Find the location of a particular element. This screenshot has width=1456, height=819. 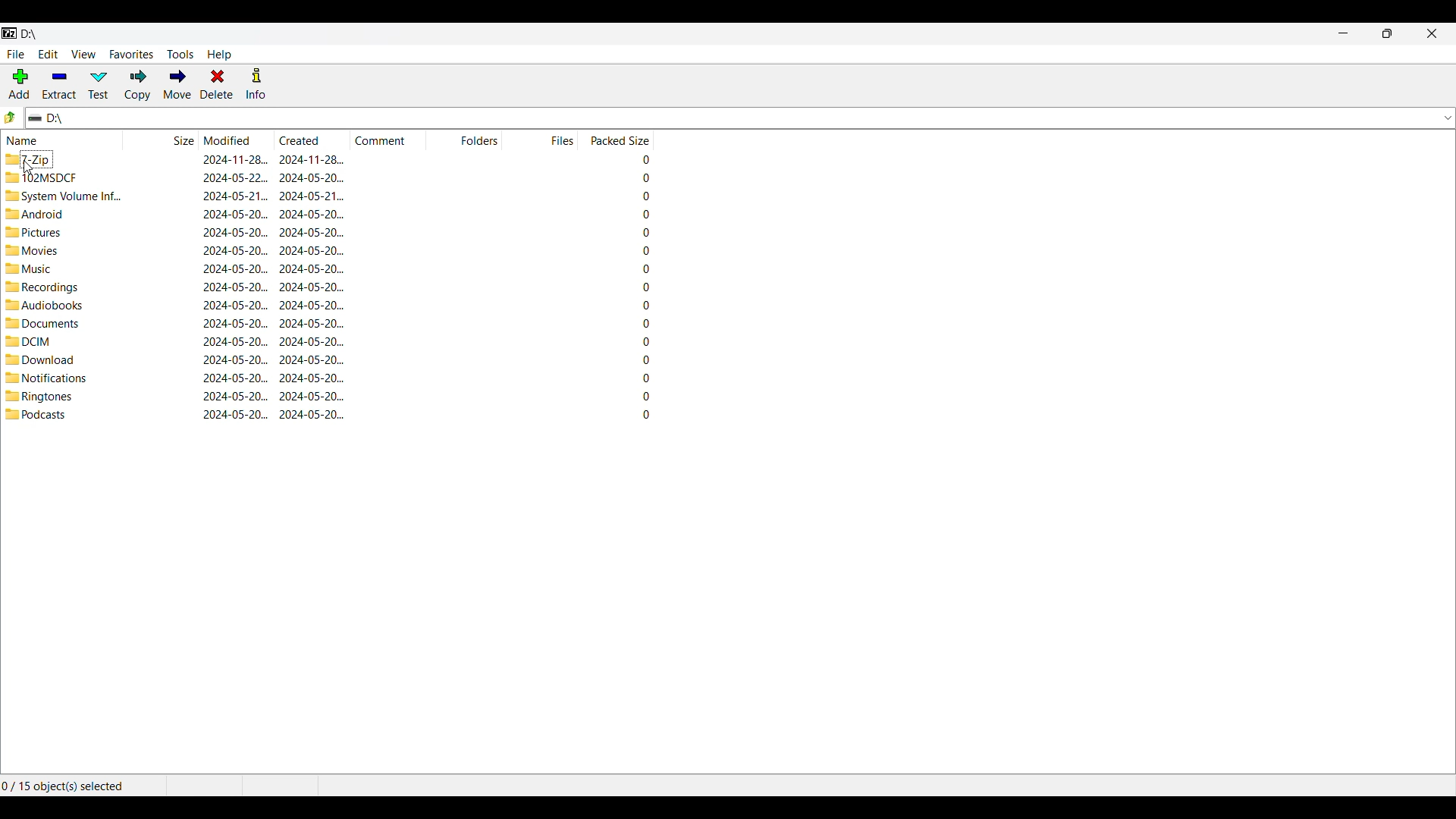

modified date & time is located at coordinates (235, 158).